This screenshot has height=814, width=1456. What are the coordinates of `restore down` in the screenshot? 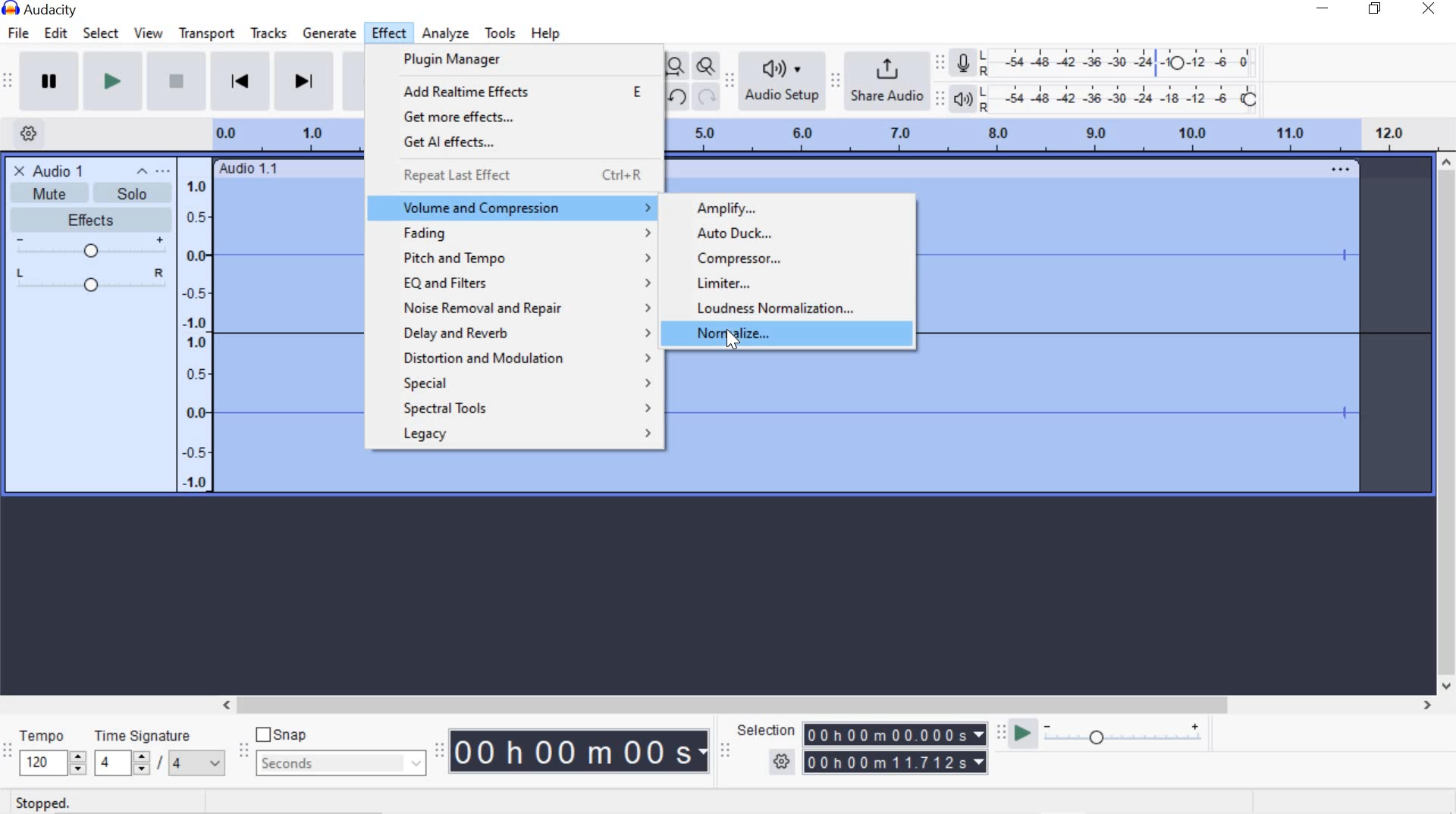 It's located at (1378, 9).